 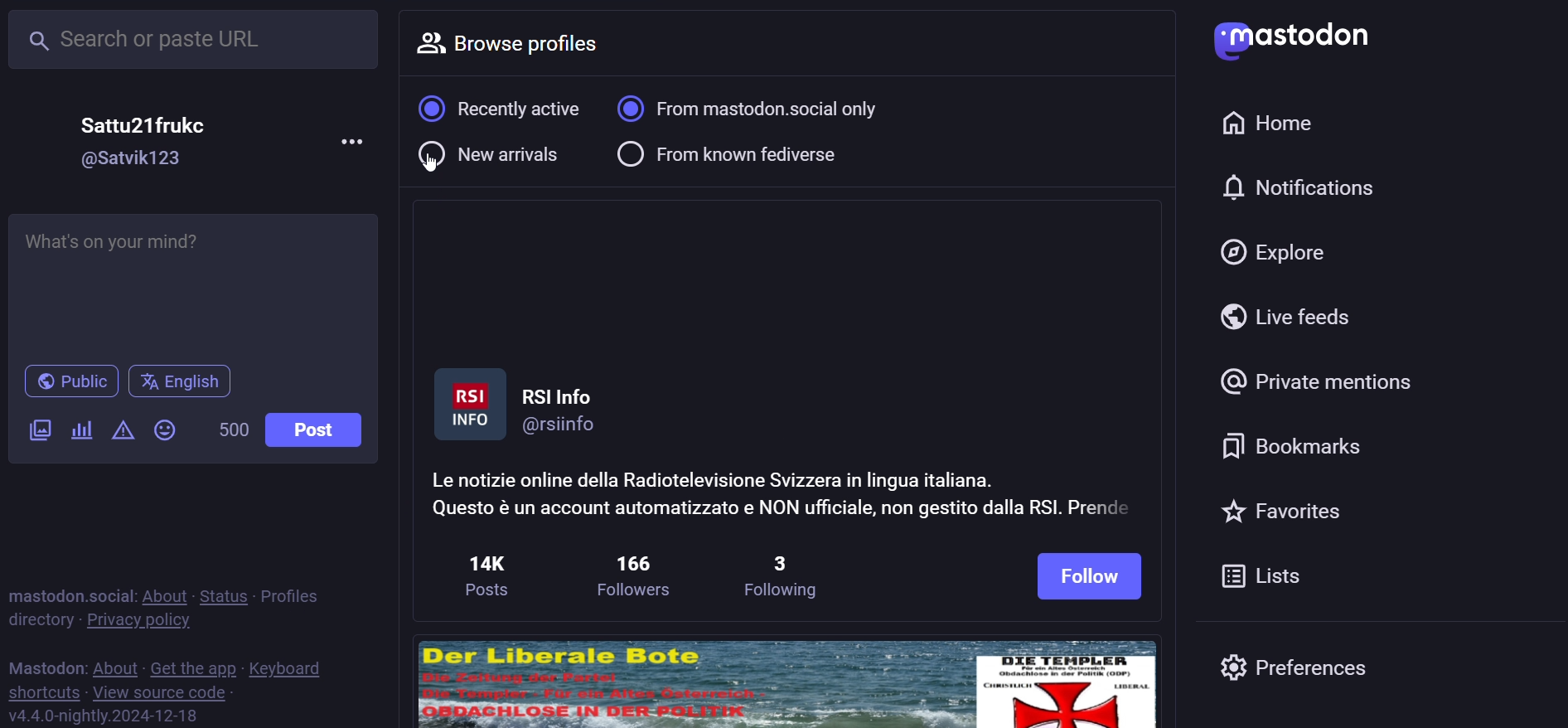 I want to click on private policy, so click(x=133, y=624).